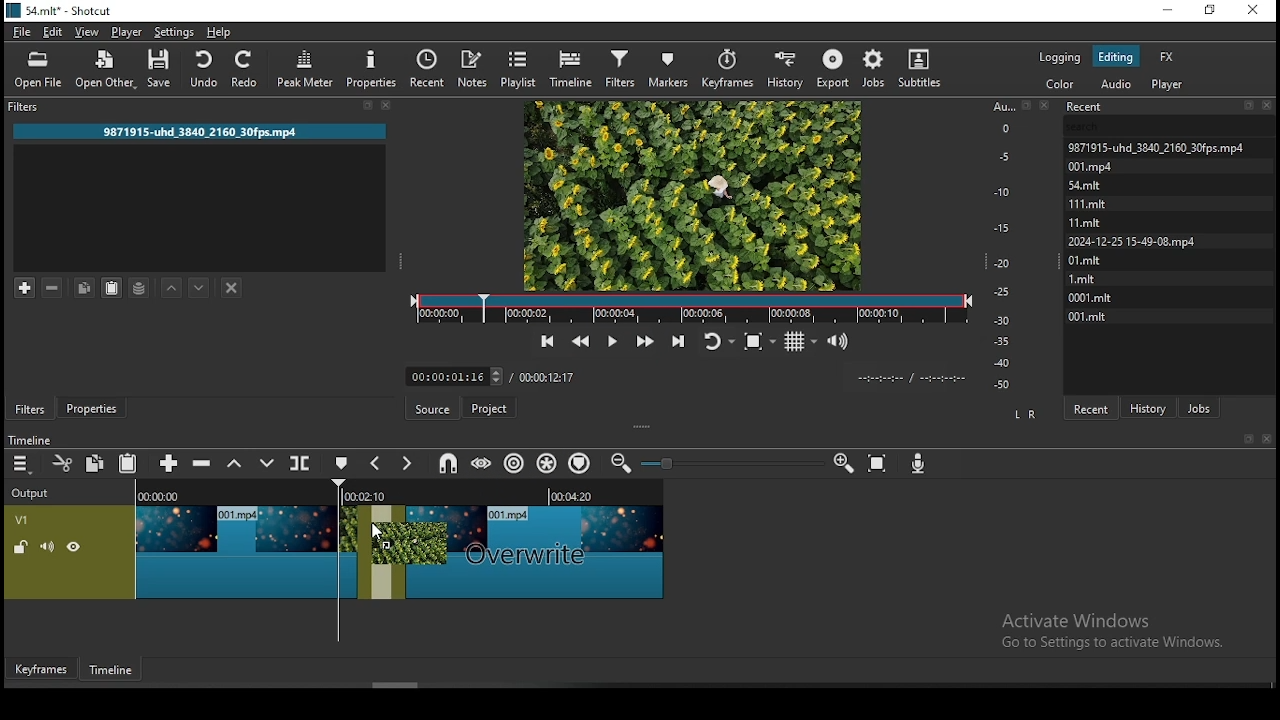  I want to click on timeline, so click(113, 673).